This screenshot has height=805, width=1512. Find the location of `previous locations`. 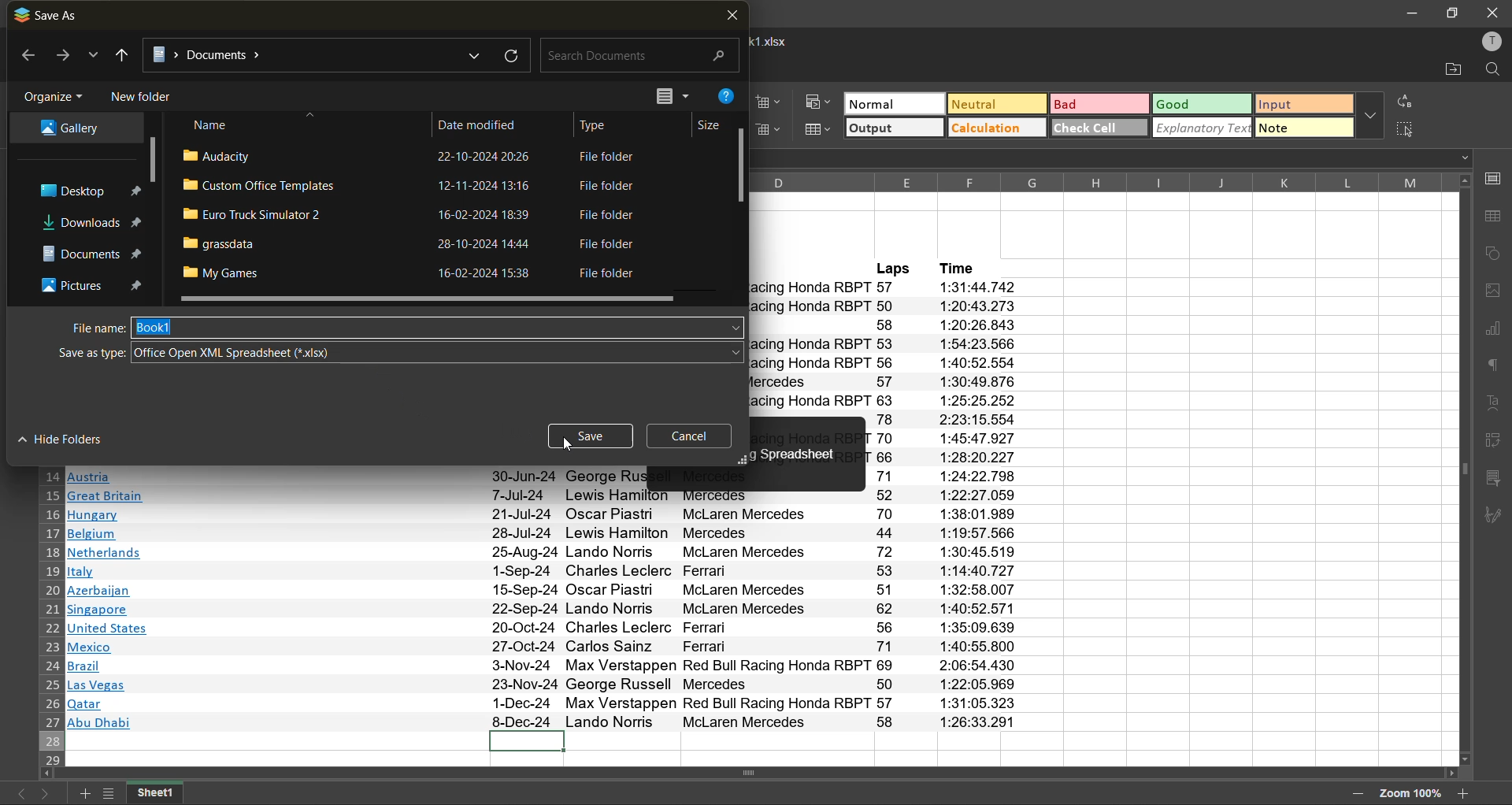

previous locations is located at coordinates (95, 57).